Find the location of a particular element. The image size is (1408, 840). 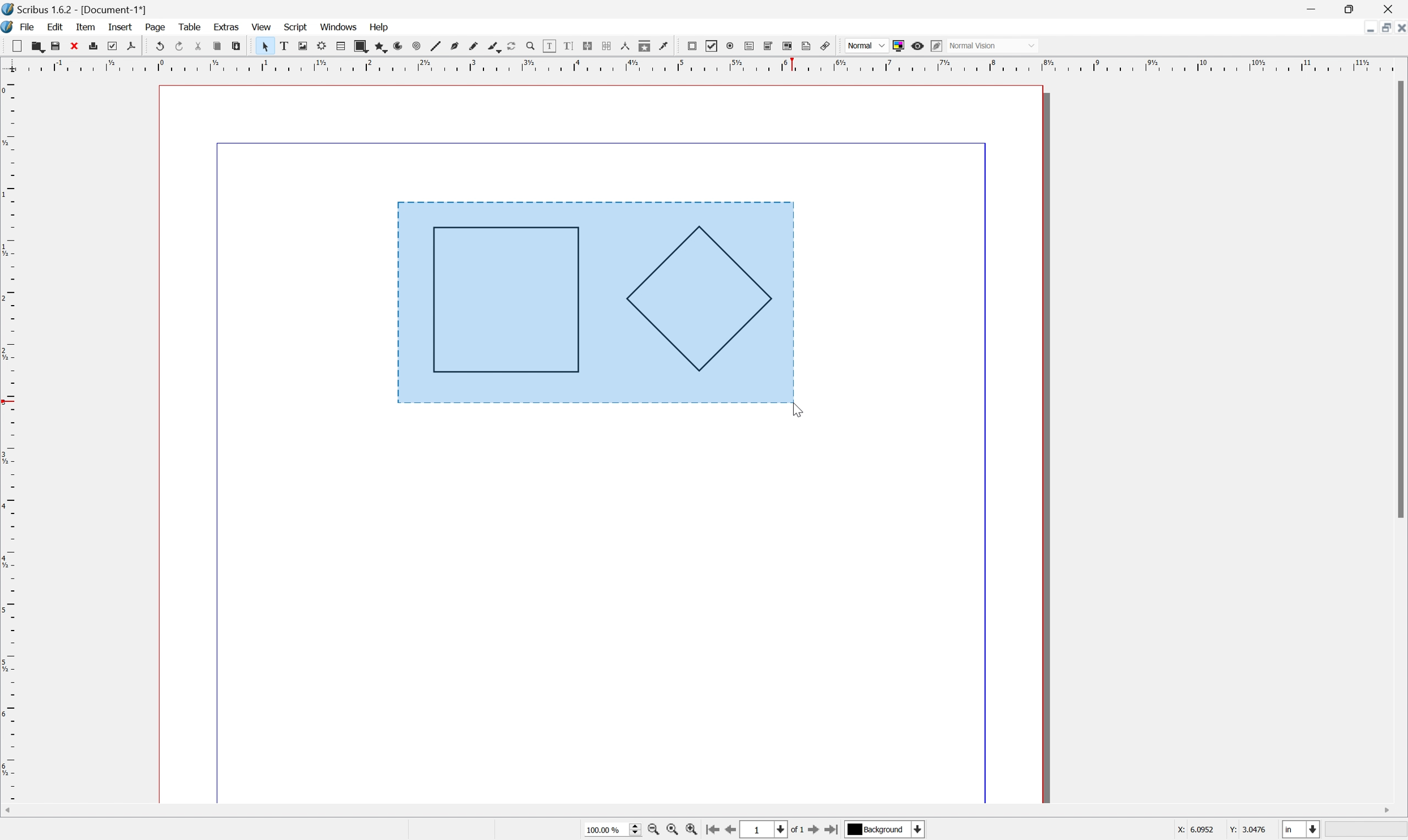

Restore Down is located at coordinates (1352, 8).